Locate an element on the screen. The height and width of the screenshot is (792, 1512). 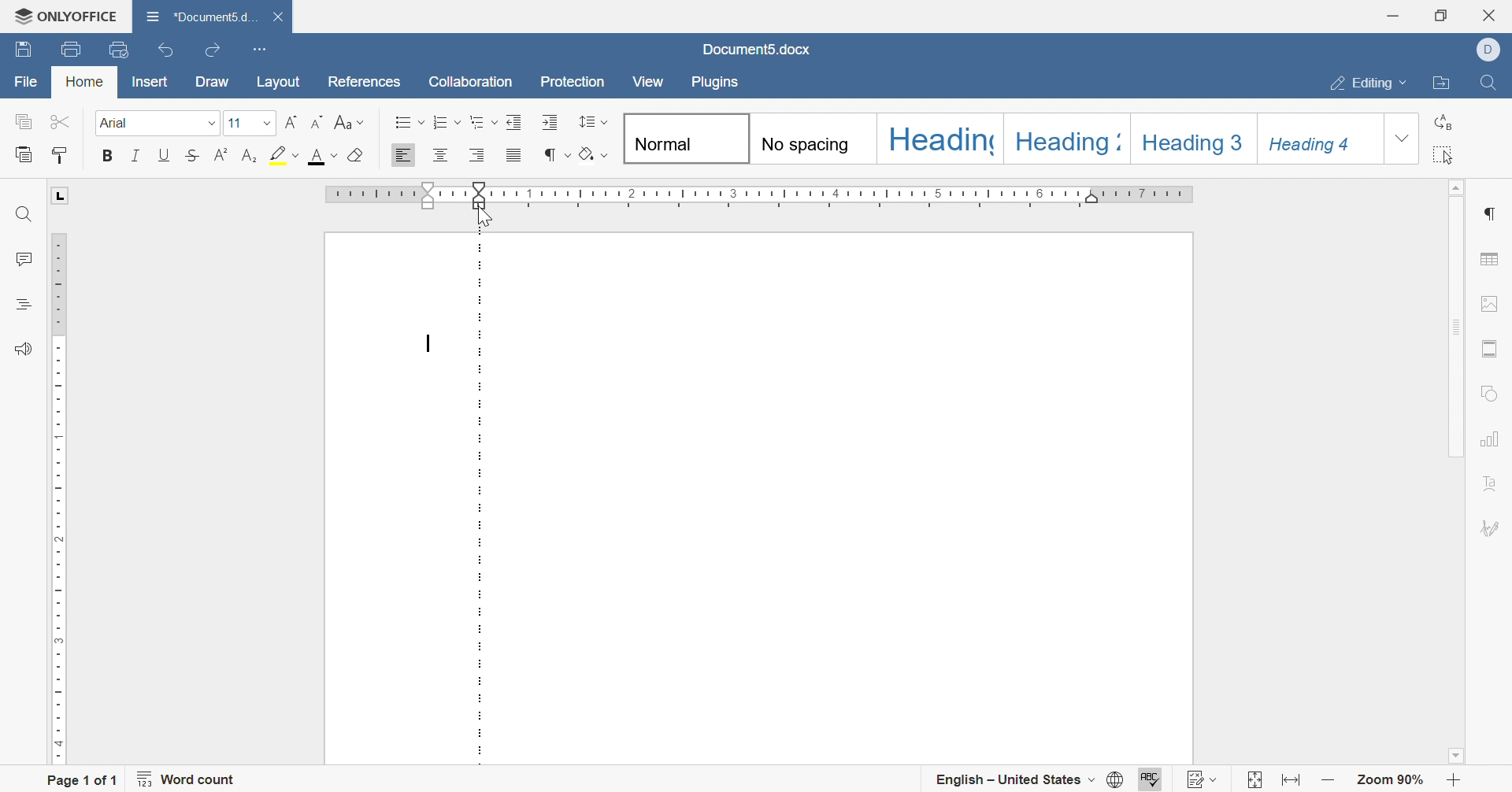
clear style is located at coordinates (358, 154).